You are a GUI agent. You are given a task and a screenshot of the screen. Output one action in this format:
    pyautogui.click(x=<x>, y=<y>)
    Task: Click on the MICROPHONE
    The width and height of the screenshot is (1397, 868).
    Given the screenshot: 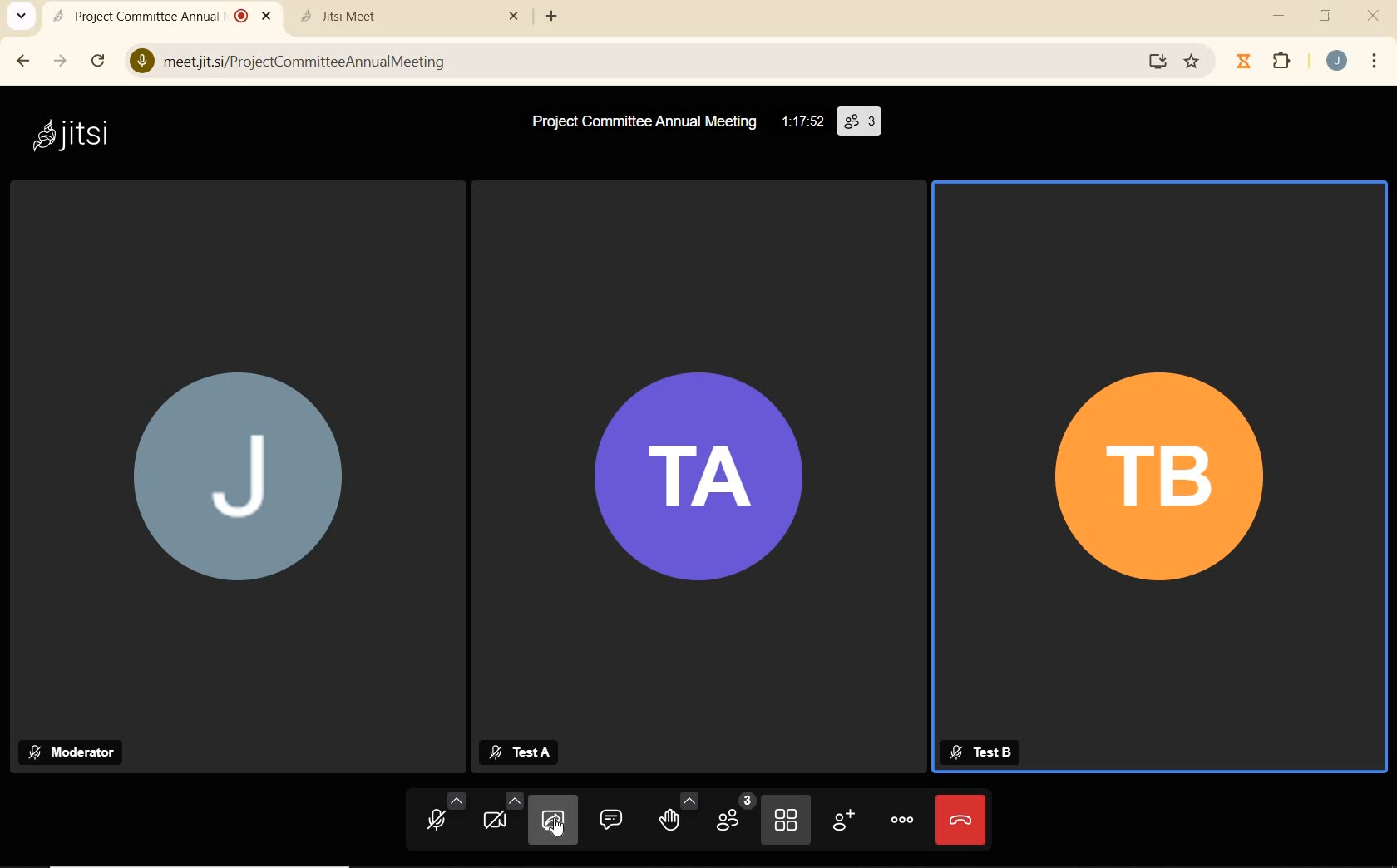 What is the action you would take?
    pyautogui.click(x=437, y=818)
    